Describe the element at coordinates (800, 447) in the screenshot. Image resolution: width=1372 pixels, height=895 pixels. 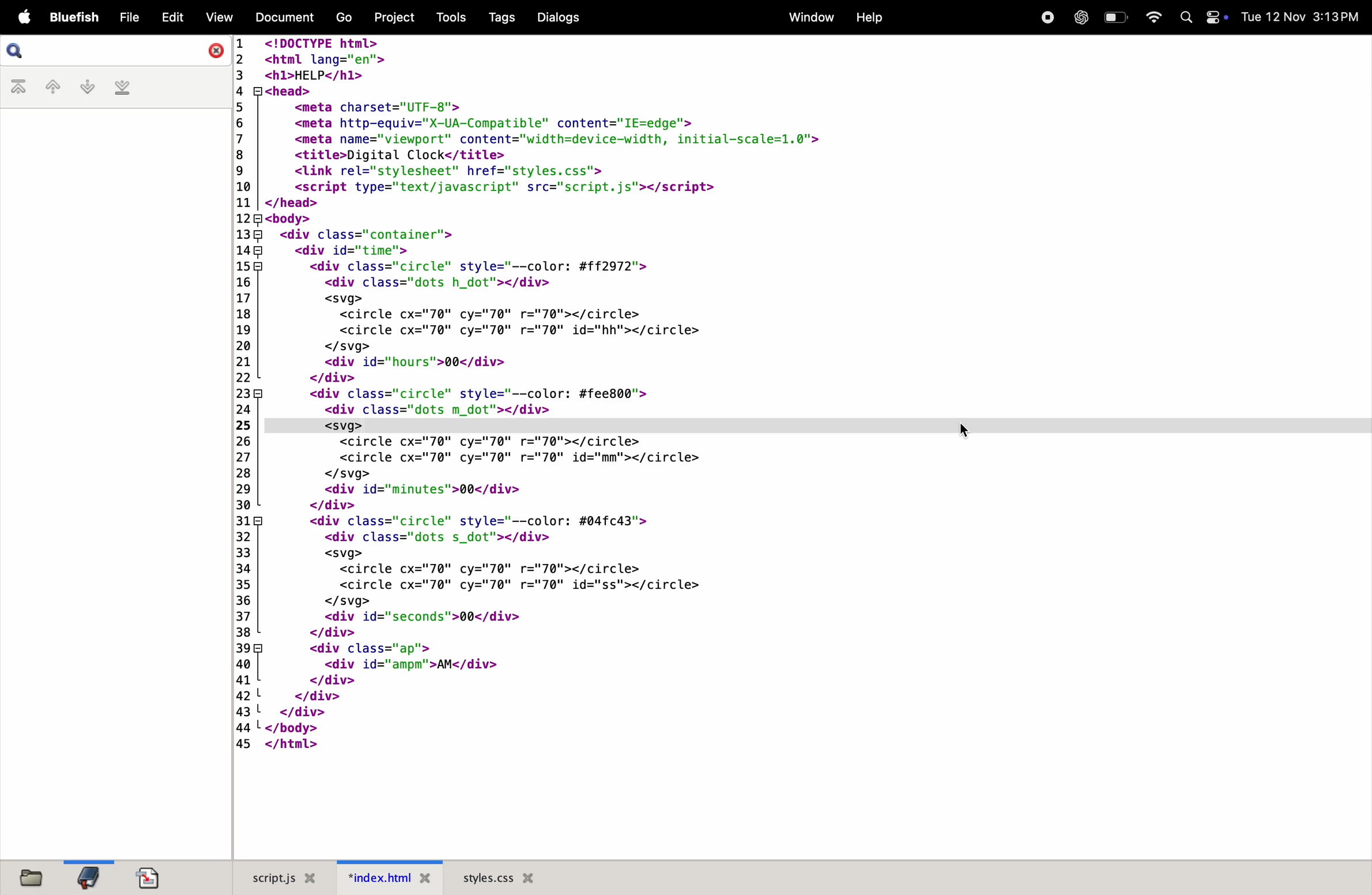
I see `code using html, css, javascript to build a digital clock. The code contains <head> that has a <title> <link> and <script type>. <Body> contains different <id> and <class>` at that location.